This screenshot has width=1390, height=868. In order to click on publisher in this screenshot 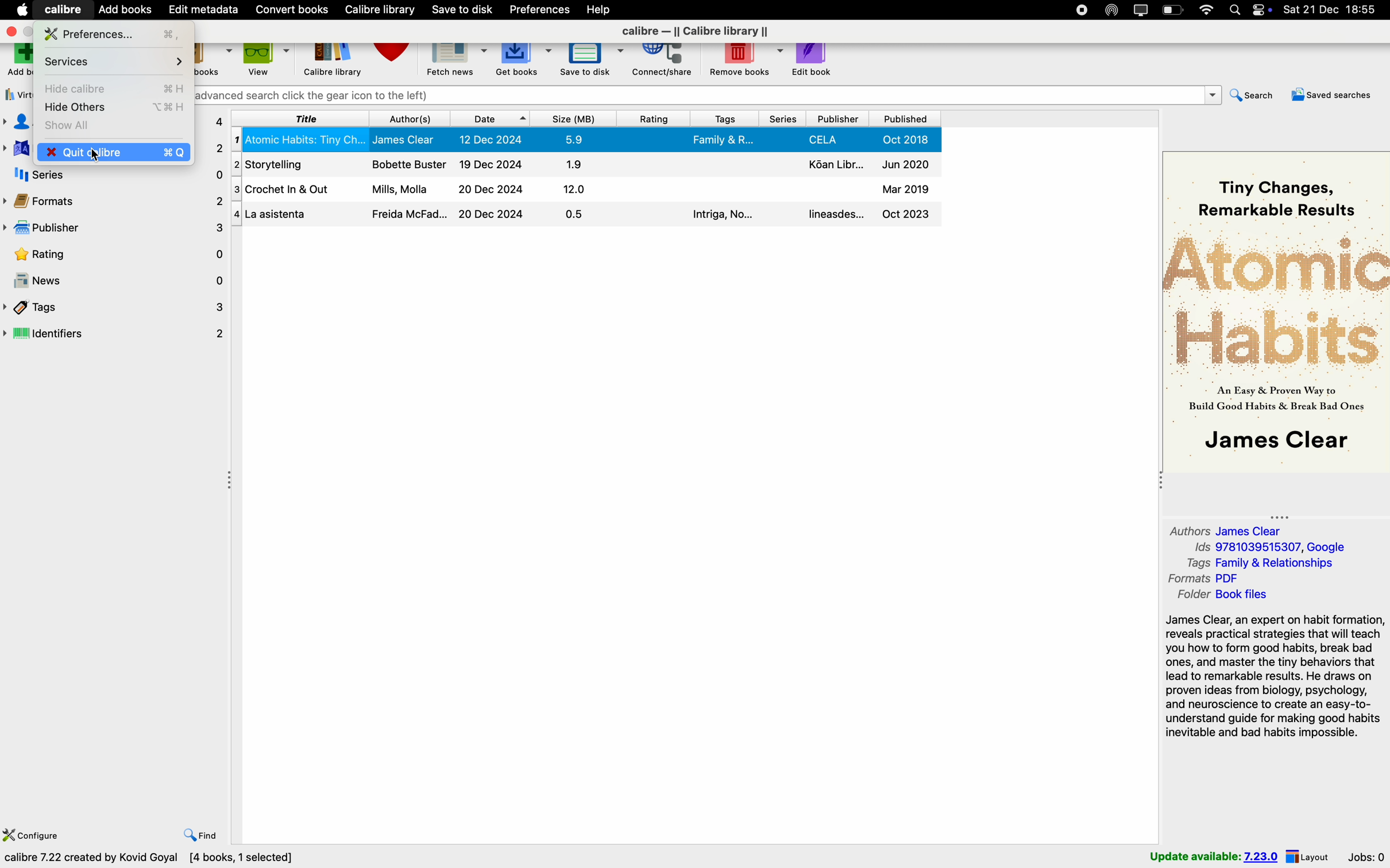, I will do `click(838, 119)`.